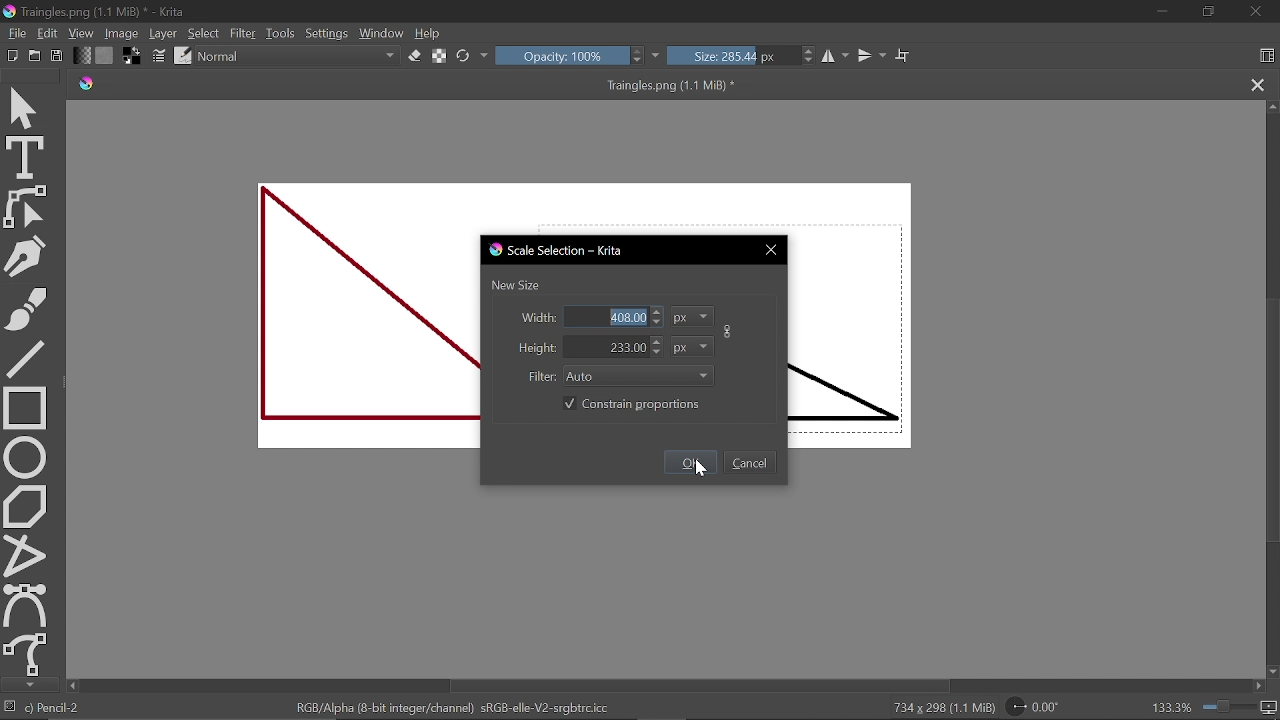 The width and height of the screenshot is (1280, 720). What do you see at coordinates (25, 357) in the screenshot?
I see `Line tool` at bounding box center [25, 357].